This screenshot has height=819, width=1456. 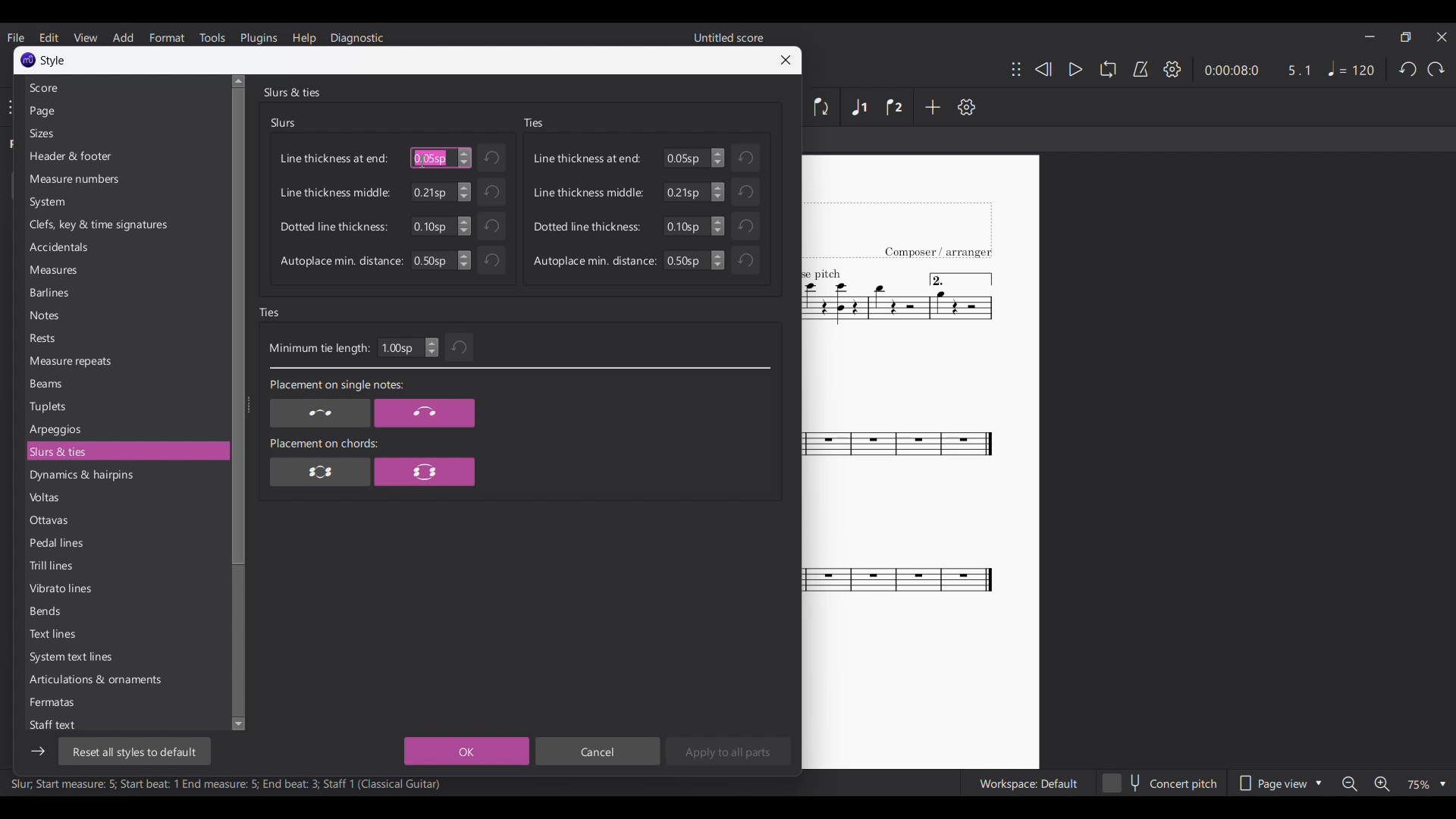 I want to click on , so click(x=431, y=260).